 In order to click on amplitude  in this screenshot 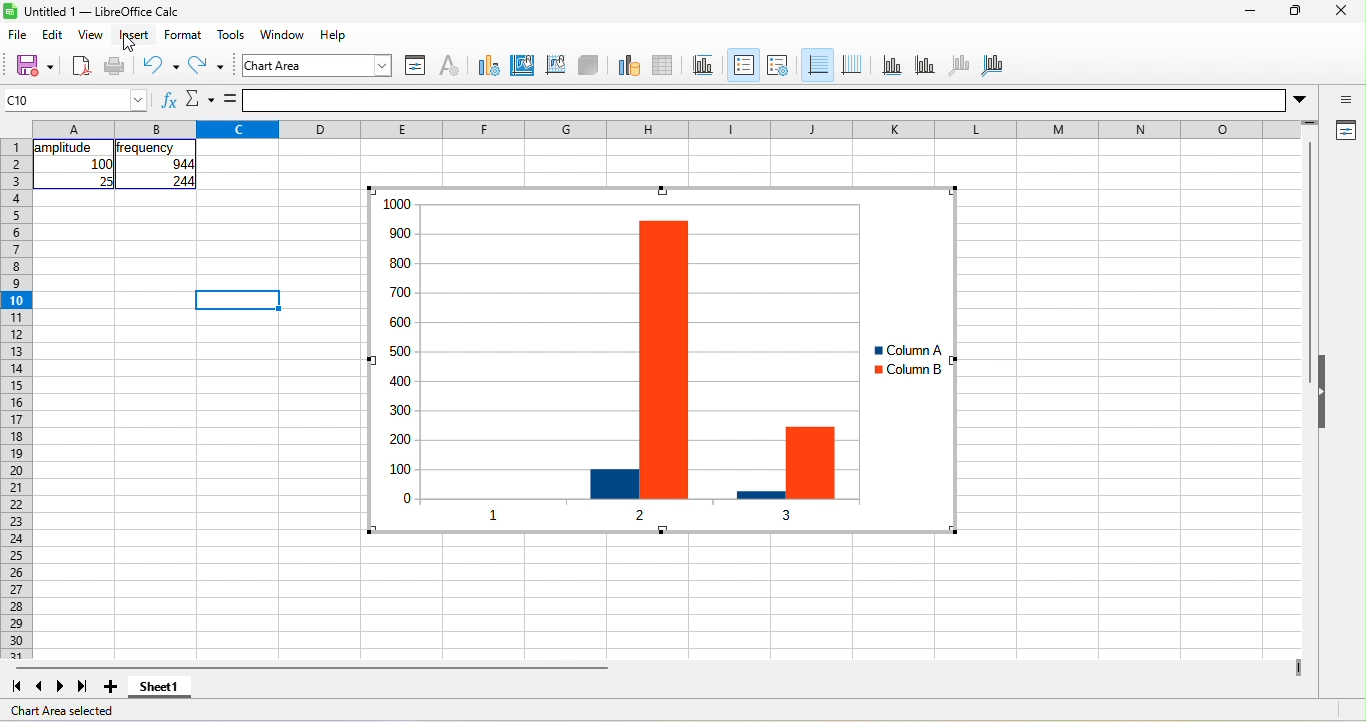, I will do `click(65, 148)`.